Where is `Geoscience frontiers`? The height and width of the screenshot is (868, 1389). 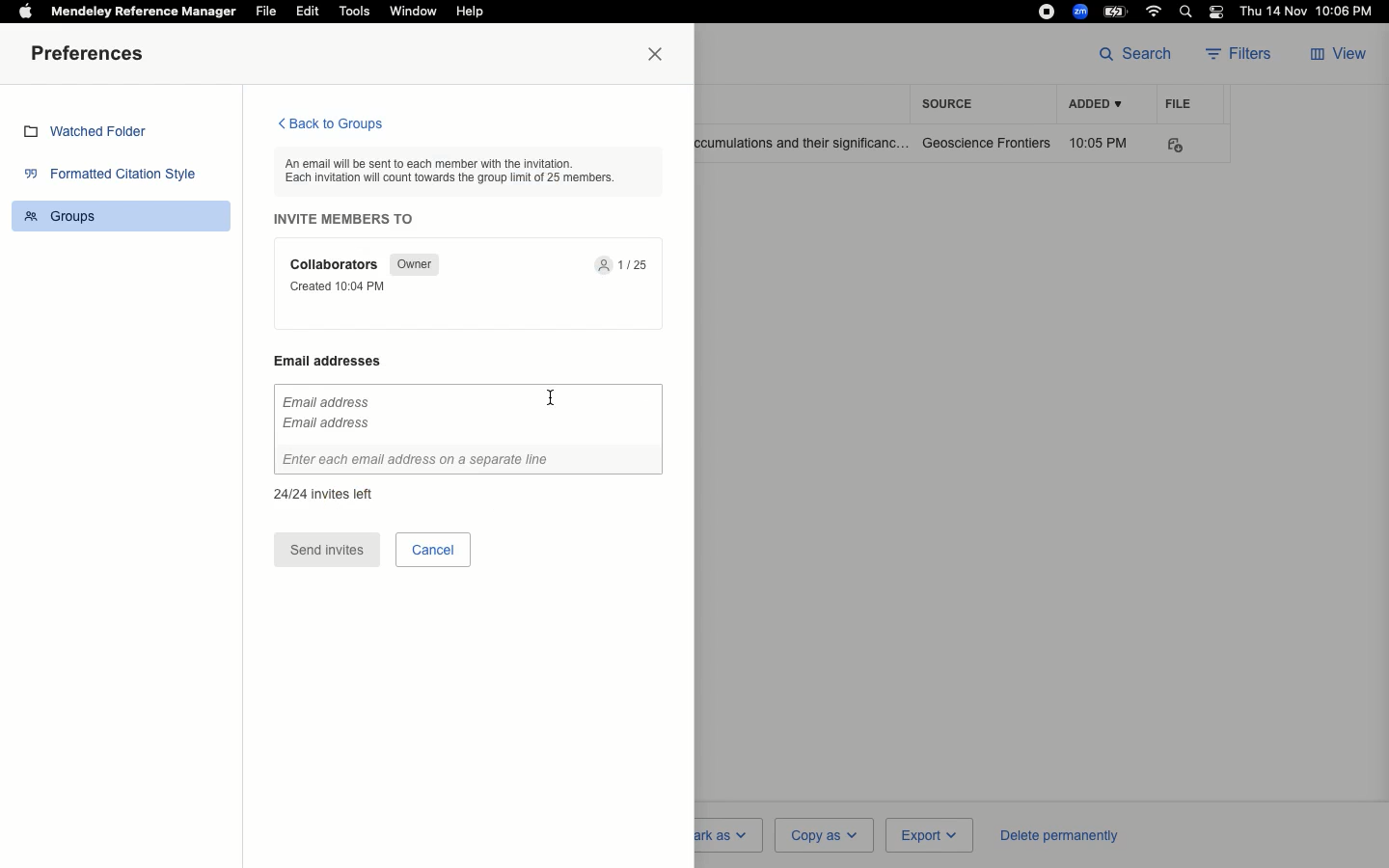
Geoscience frontiers is located at coordinates (987, 143).